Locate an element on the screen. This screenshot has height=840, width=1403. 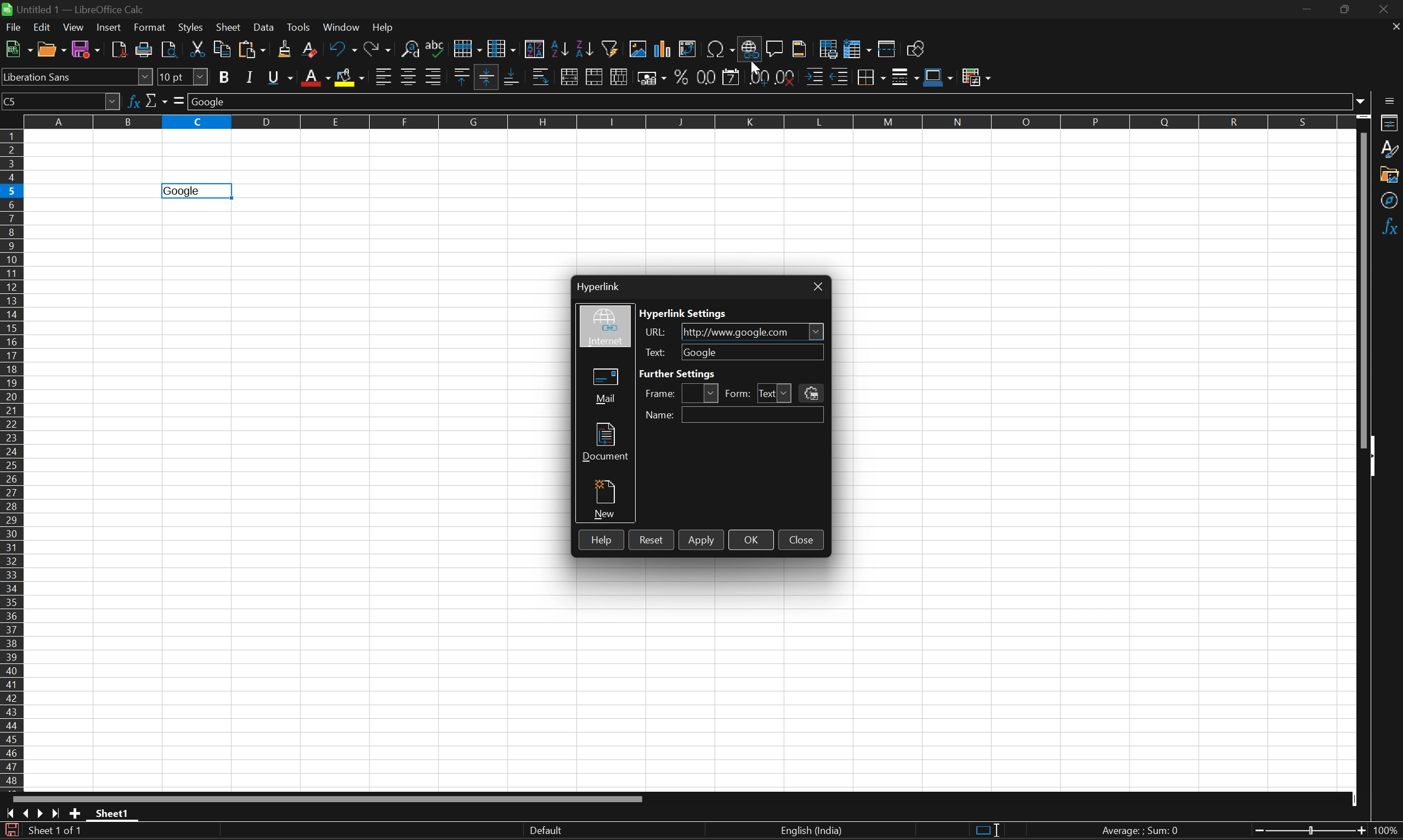
Default is located at coordinates (544, 830).